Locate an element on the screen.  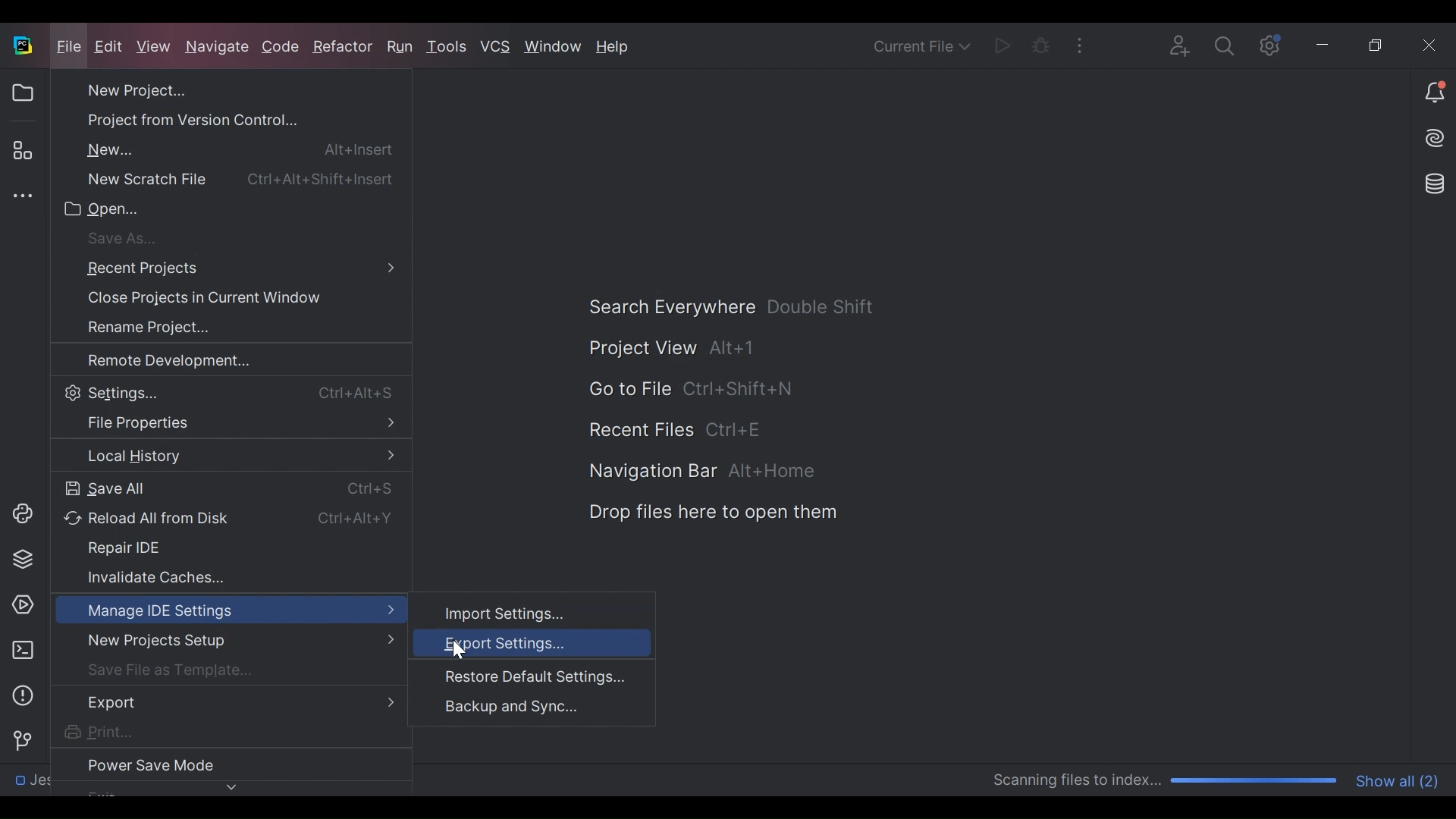
New is located at coordinates (223, 149).